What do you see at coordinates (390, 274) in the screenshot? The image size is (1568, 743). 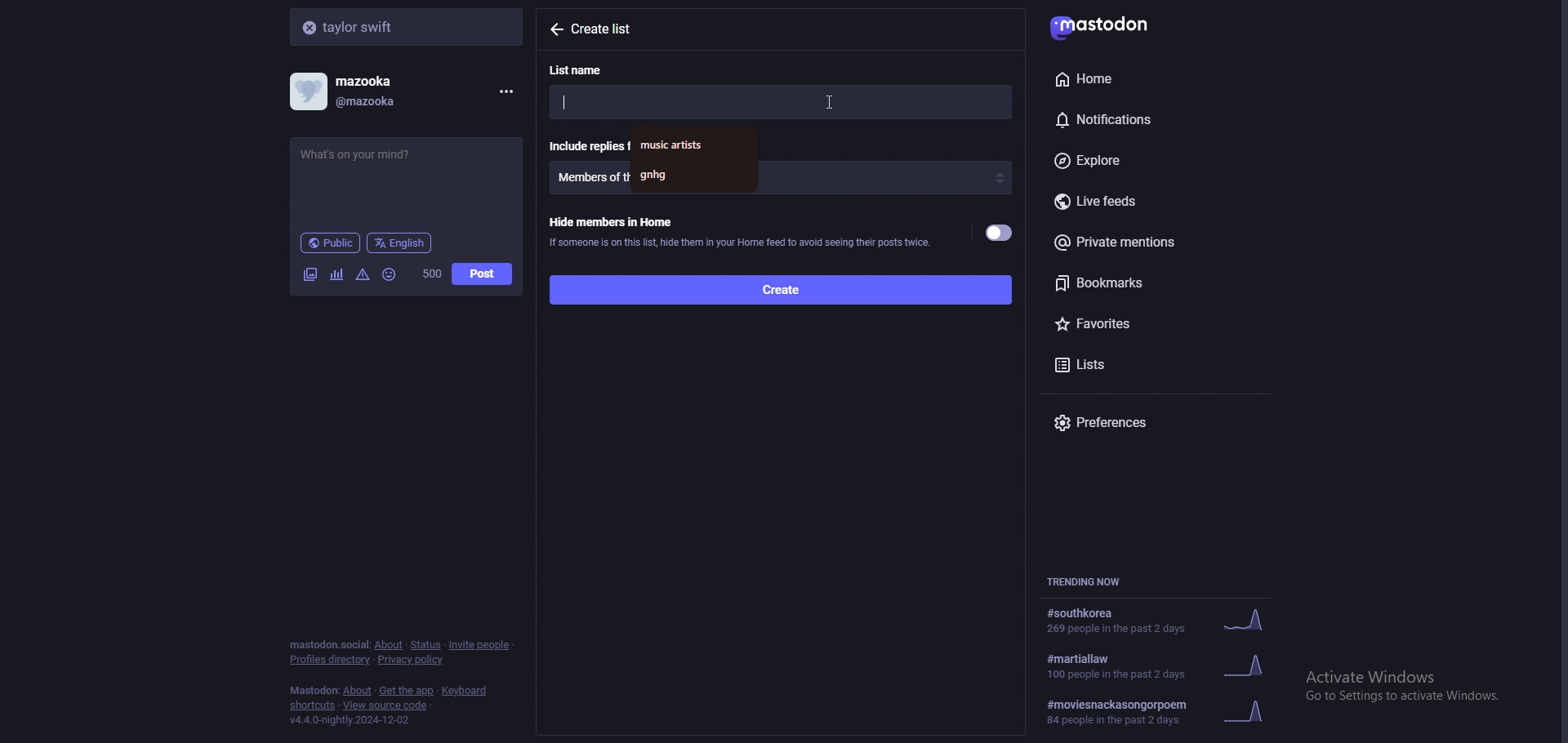 I see `emoji` at bounding box center [390, 274].